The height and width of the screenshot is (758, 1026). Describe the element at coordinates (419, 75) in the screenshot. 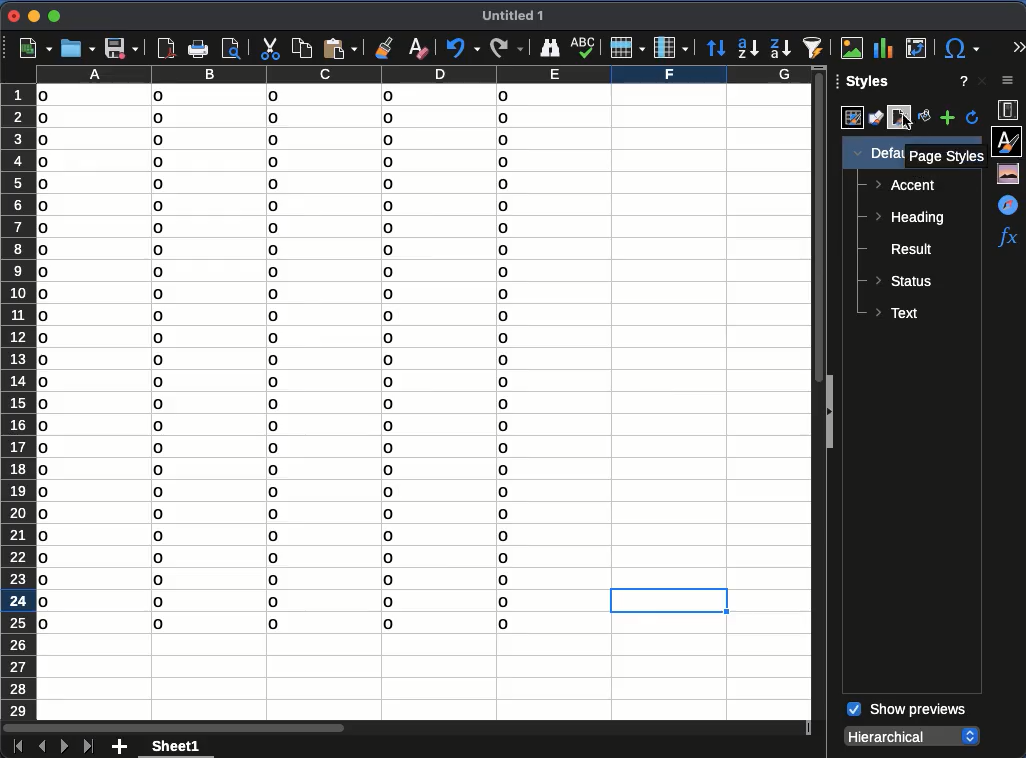

I see `columns` at that location.